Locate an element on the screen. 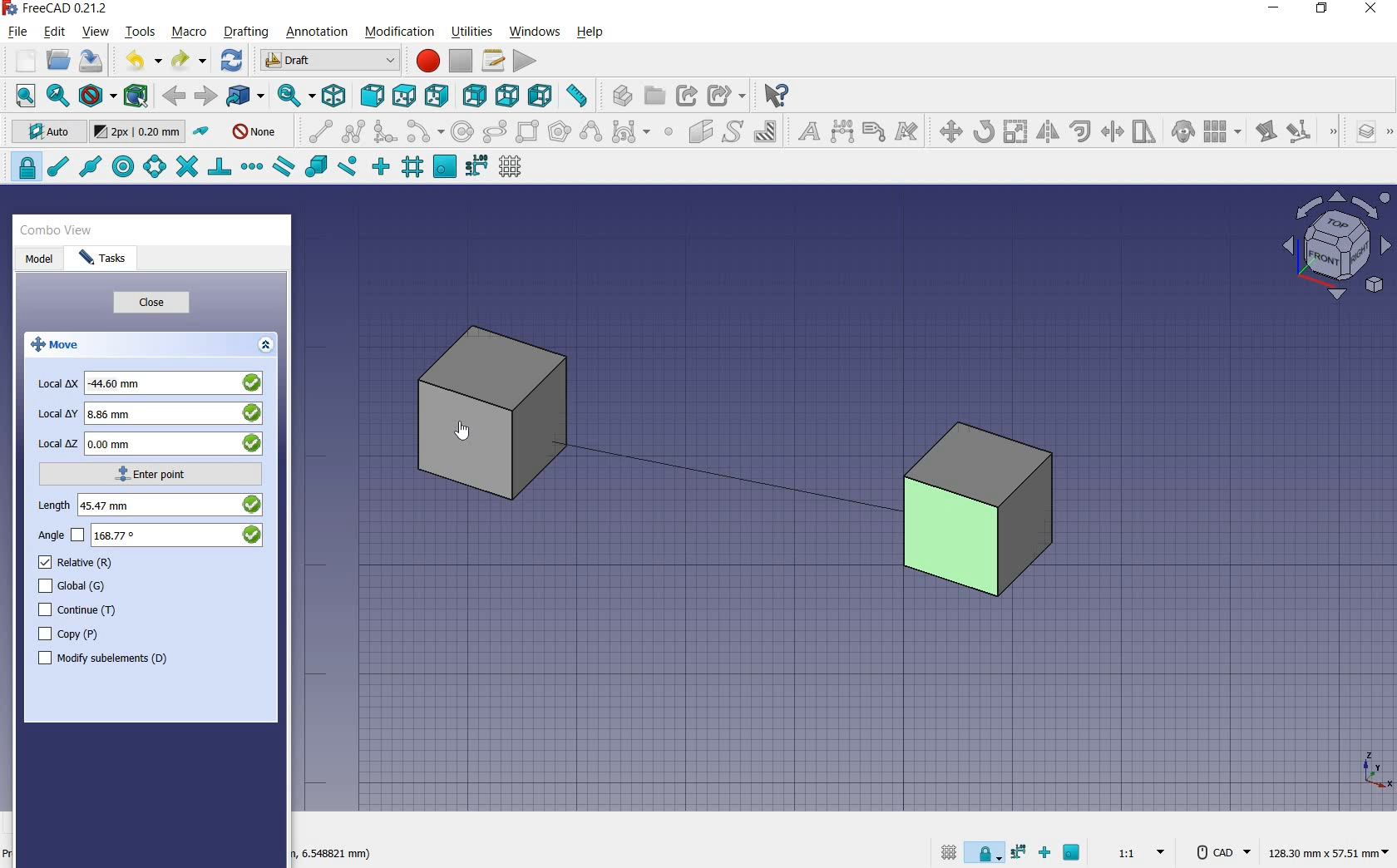 The height and width of the screenshot is (868, 1397). manage layers is located at coordinates (1367, 133).